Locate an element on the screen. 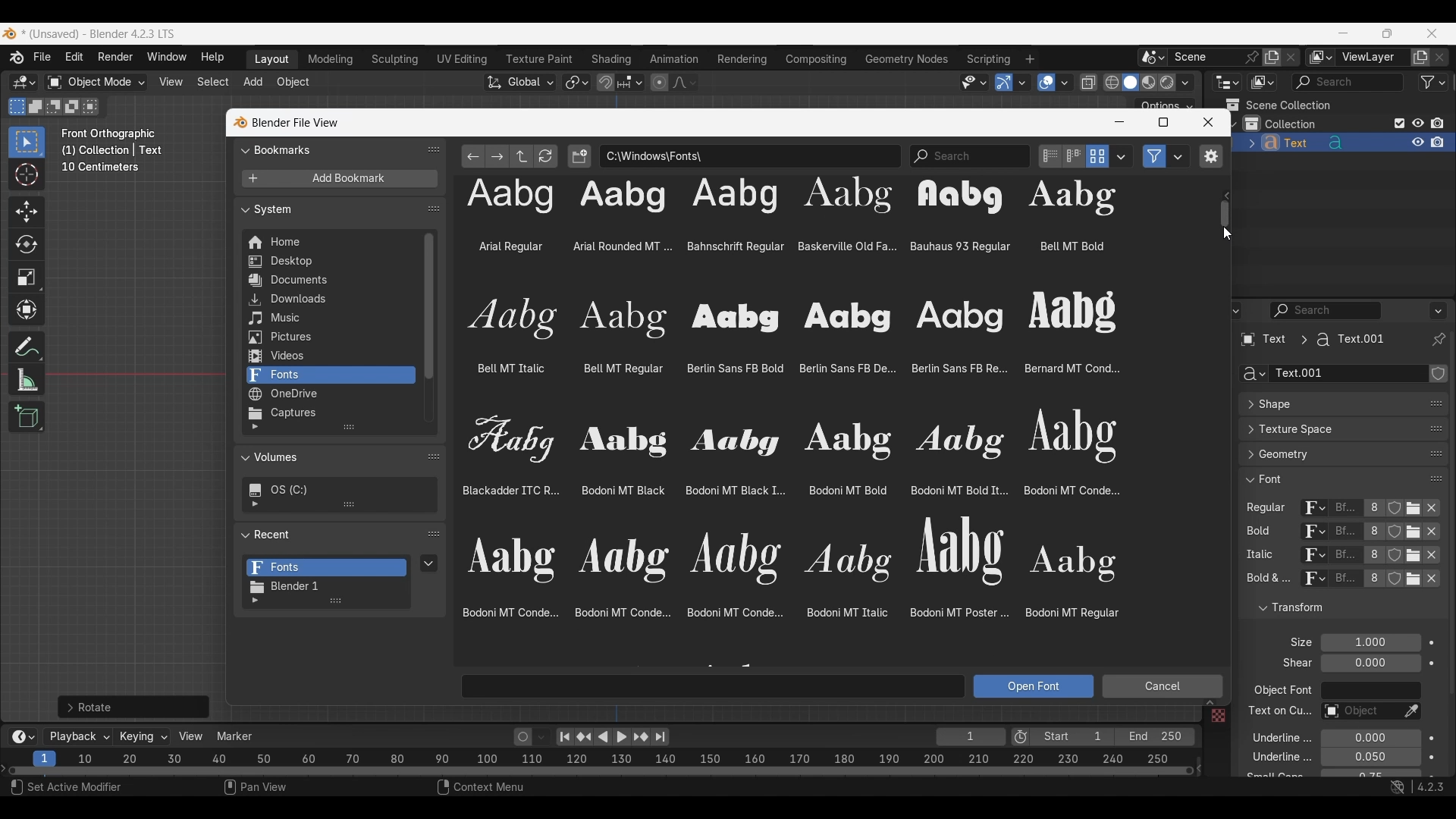  Exclude from view layer is located at coordinates (1400, 123).